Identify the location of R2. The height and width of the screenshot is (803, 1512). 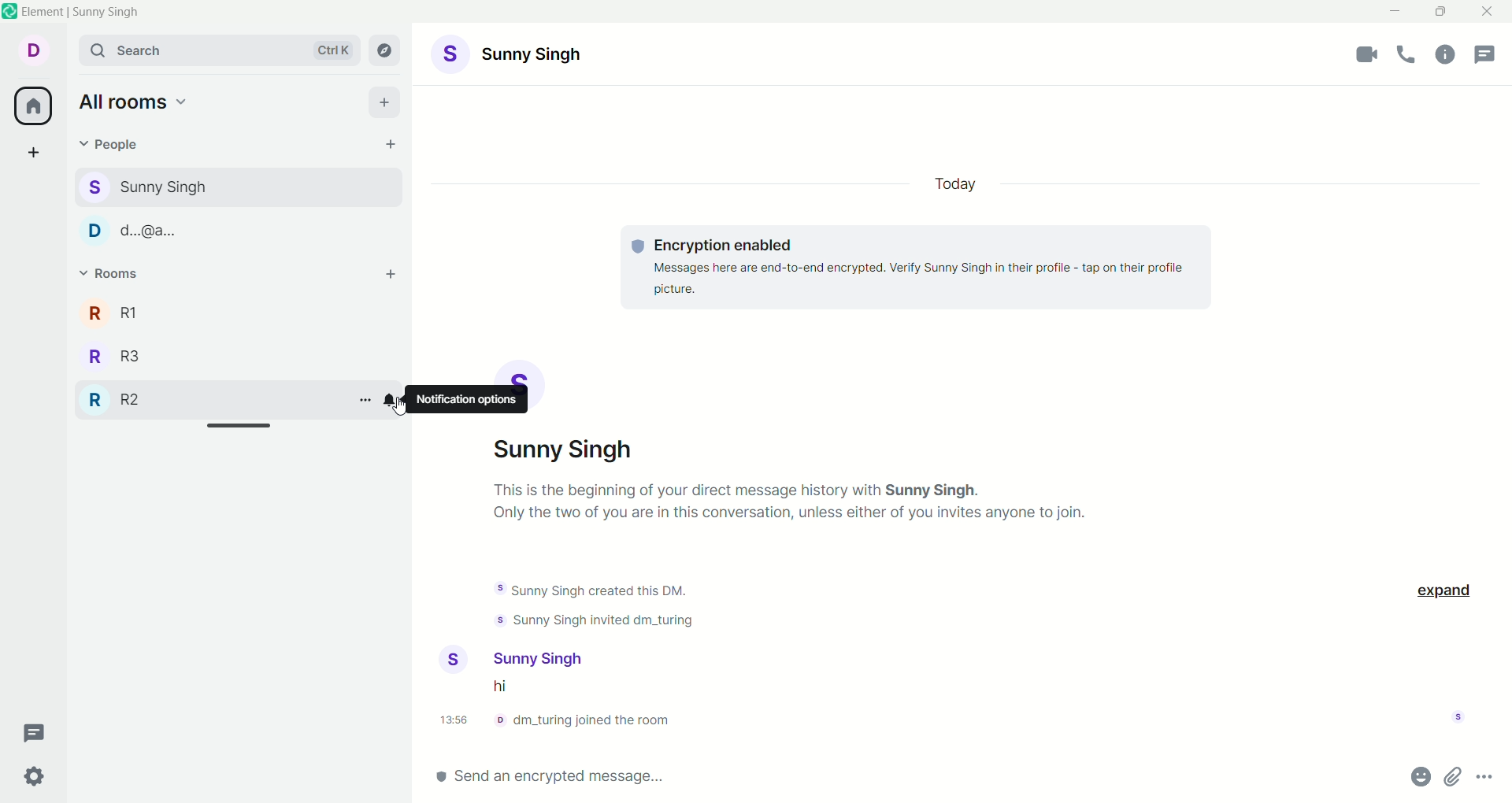
(117, 396).